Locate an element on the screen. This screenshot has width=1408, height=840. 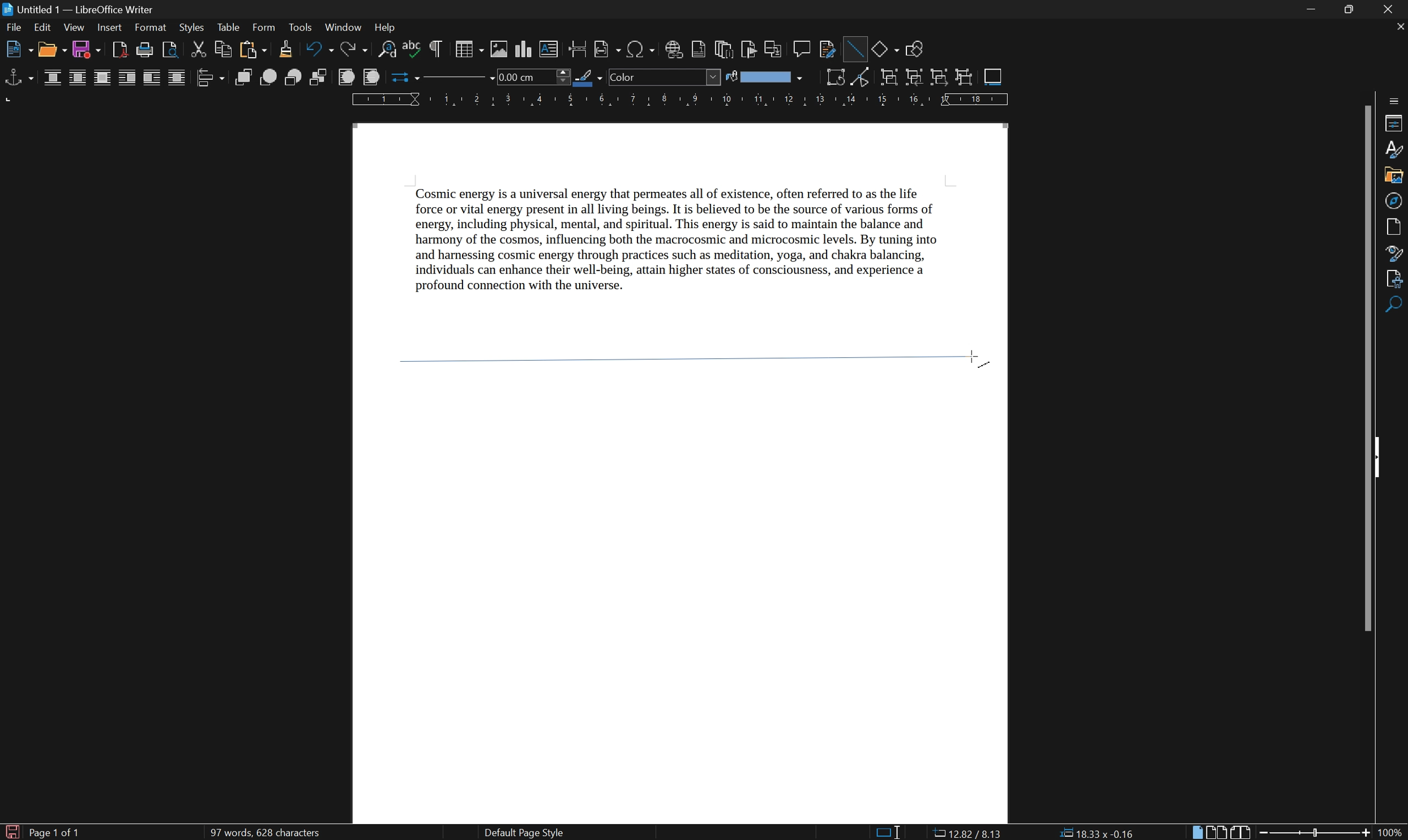
insert textbox is located at coordinates (549, 48).